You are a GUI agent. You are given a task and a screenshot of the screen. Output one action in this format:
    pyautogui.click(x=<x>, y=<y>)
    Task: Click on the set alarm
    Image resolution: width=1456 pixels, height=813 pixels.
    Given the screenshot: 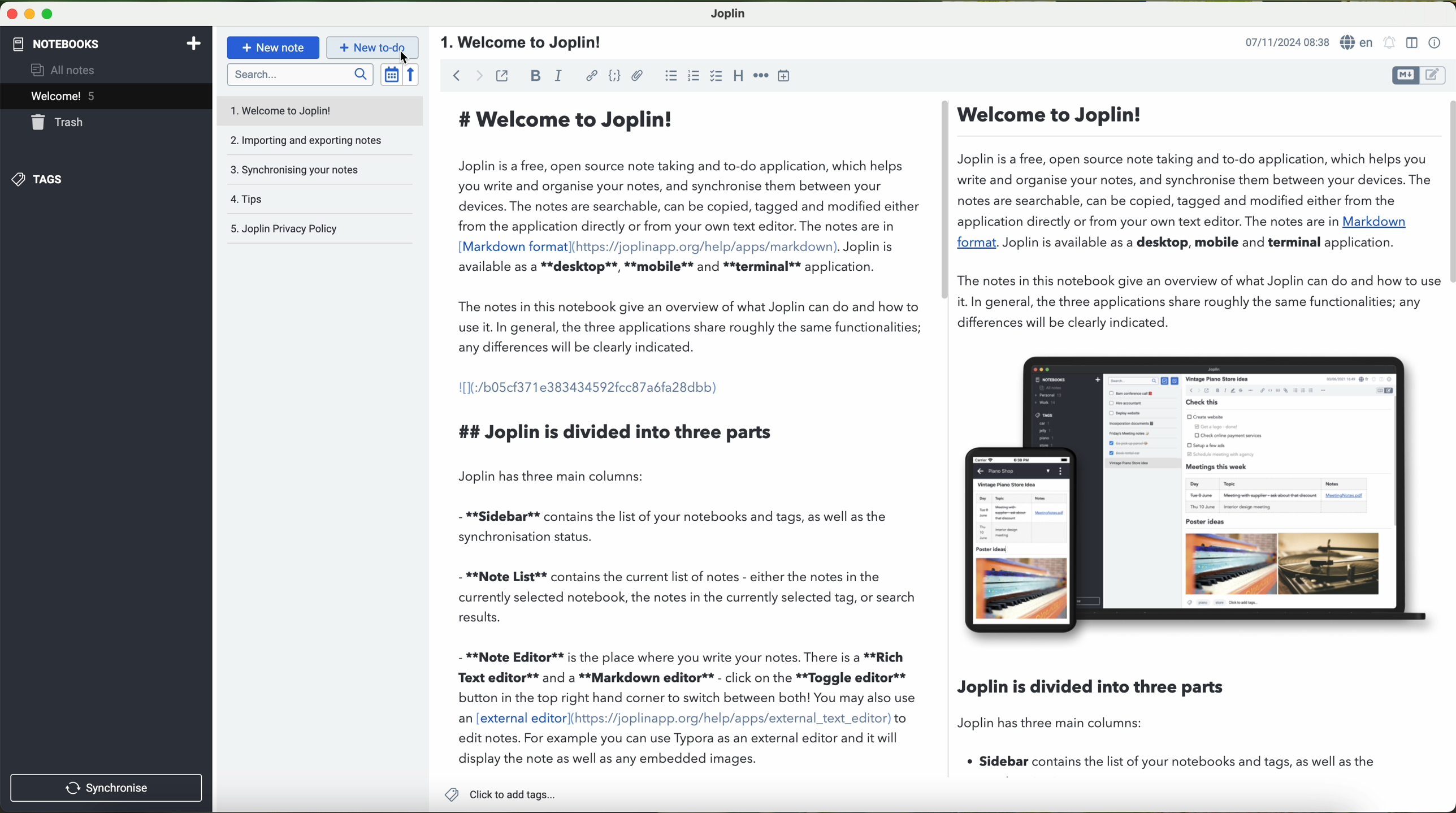 What is the action you would take?
    pyautogui.click(x=1391, y=42)
    